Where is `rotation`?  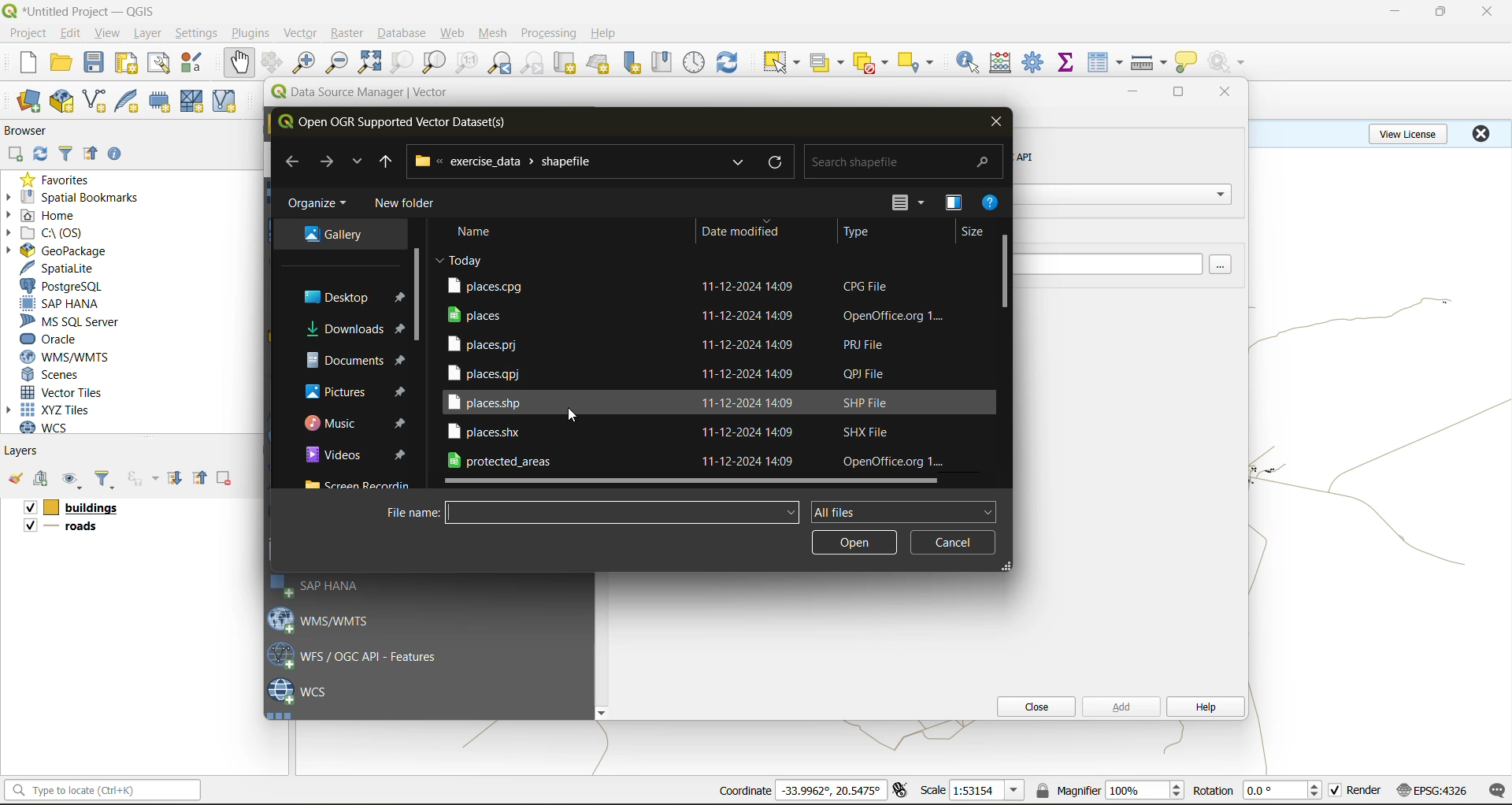 rotation is located at coordinates (1285, 791).